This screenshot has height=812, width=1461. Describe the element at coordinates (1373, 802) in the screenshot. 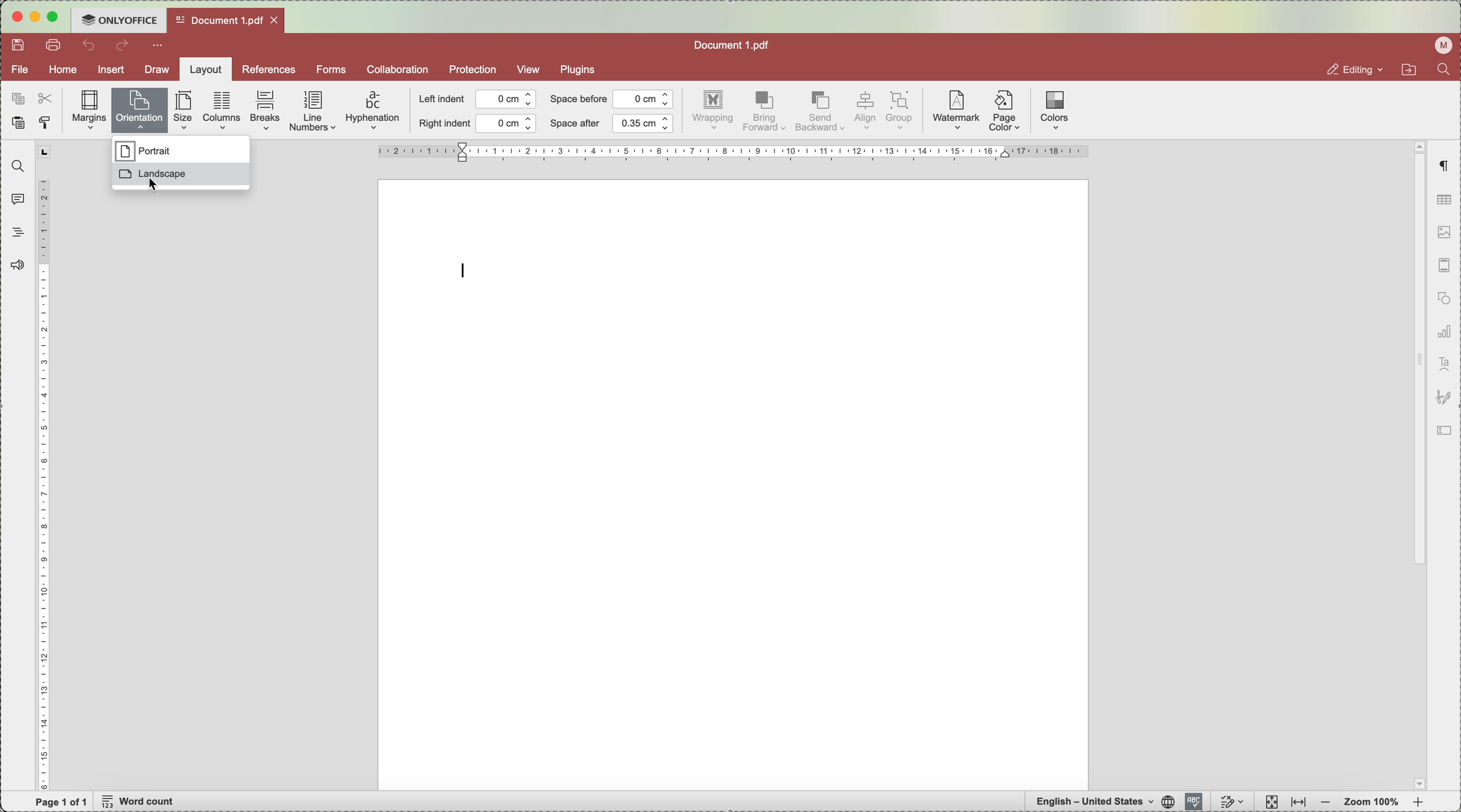

I see `zoom 100%` at that location.